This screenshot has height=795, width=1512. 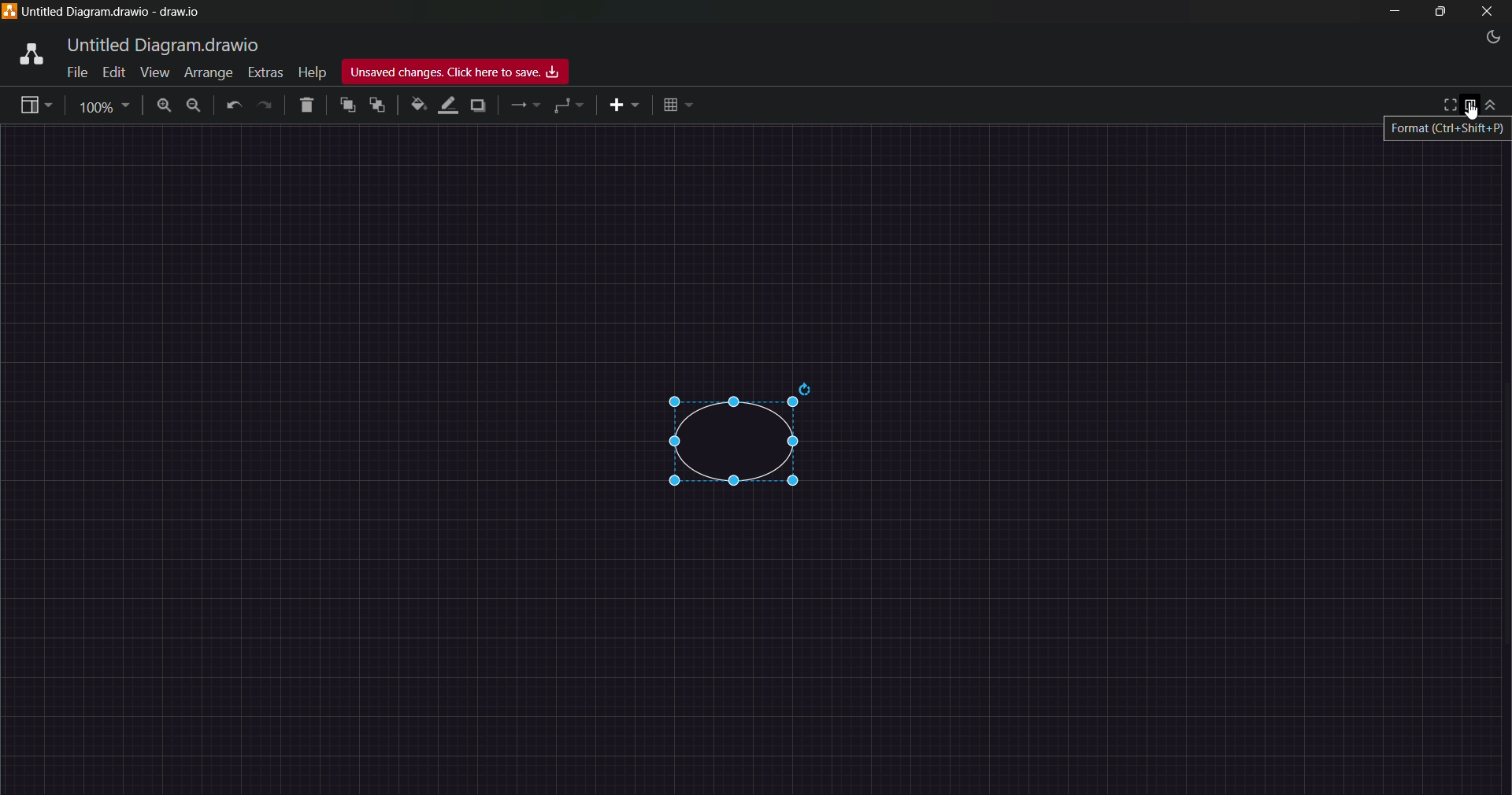 What do you see at coordinates (417, 105) in the screenshot?
I see `fill color` at bounding box center [417, 105].